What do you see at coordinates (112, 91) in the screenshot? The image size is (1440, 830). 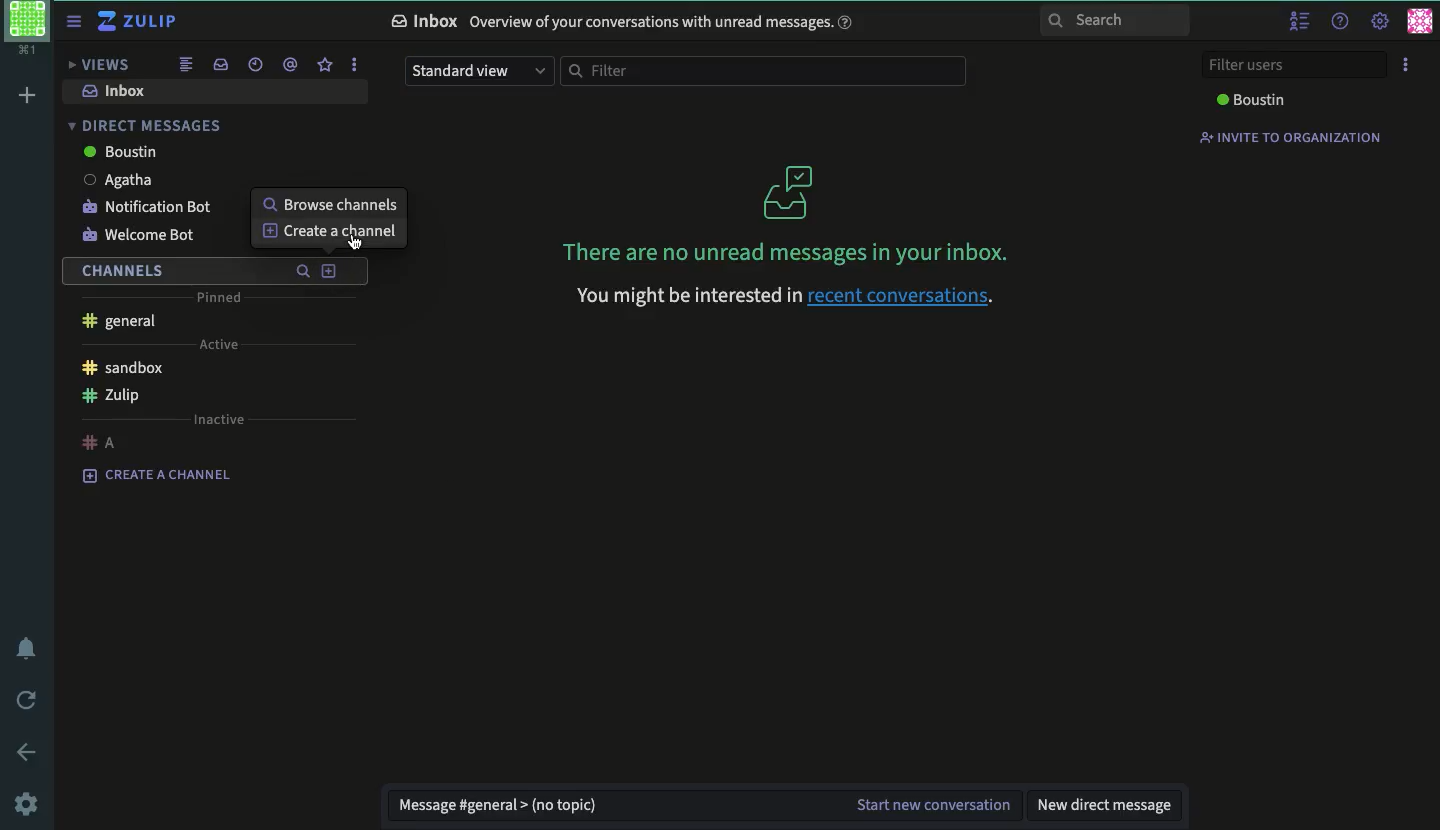 I see `inbox` at bounding box center [112, 91].